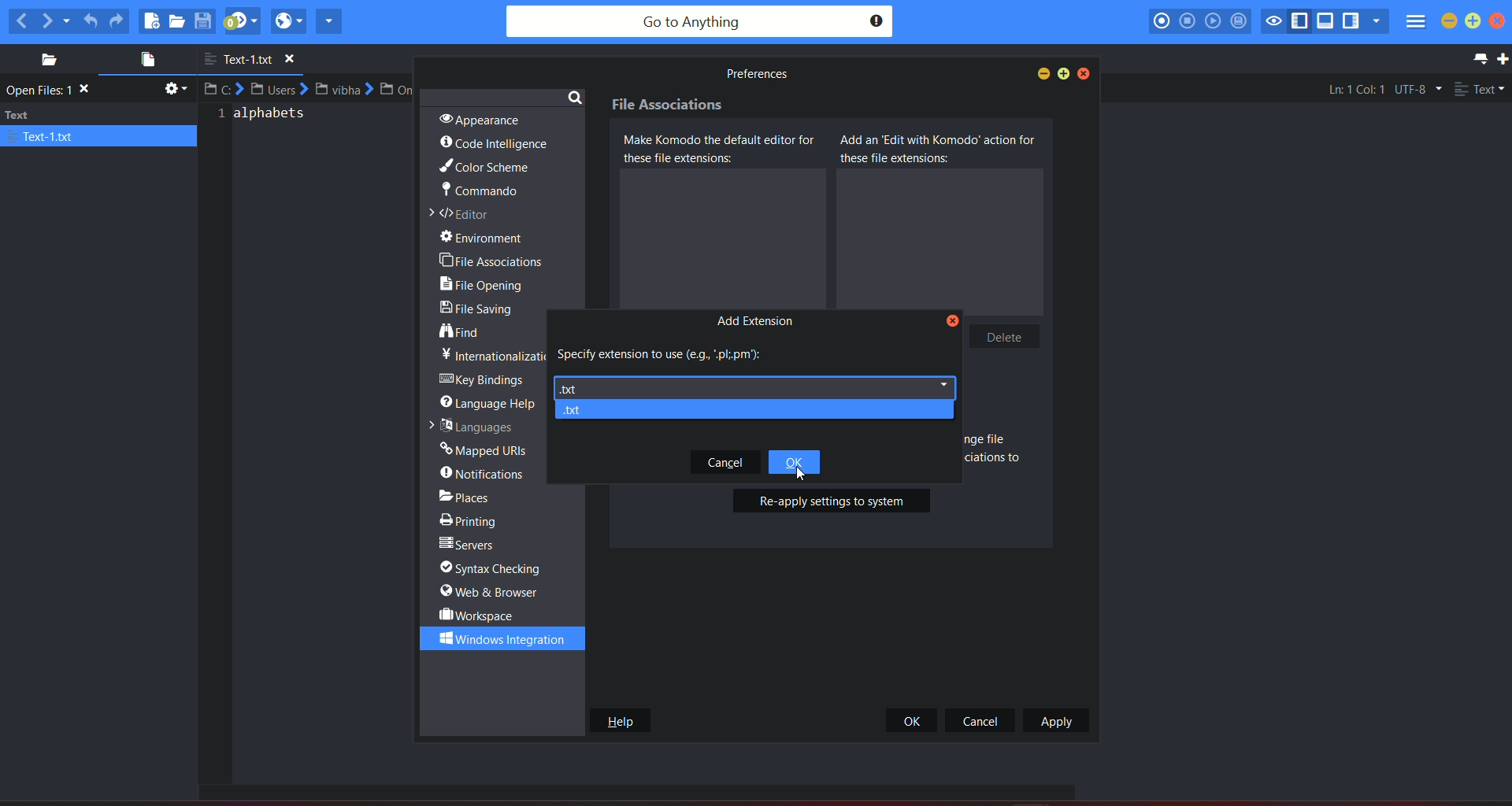  What do you see at coordinates (1040, 73) in the screenshot?
I see `minimize` at bounding box center [1040, 73].